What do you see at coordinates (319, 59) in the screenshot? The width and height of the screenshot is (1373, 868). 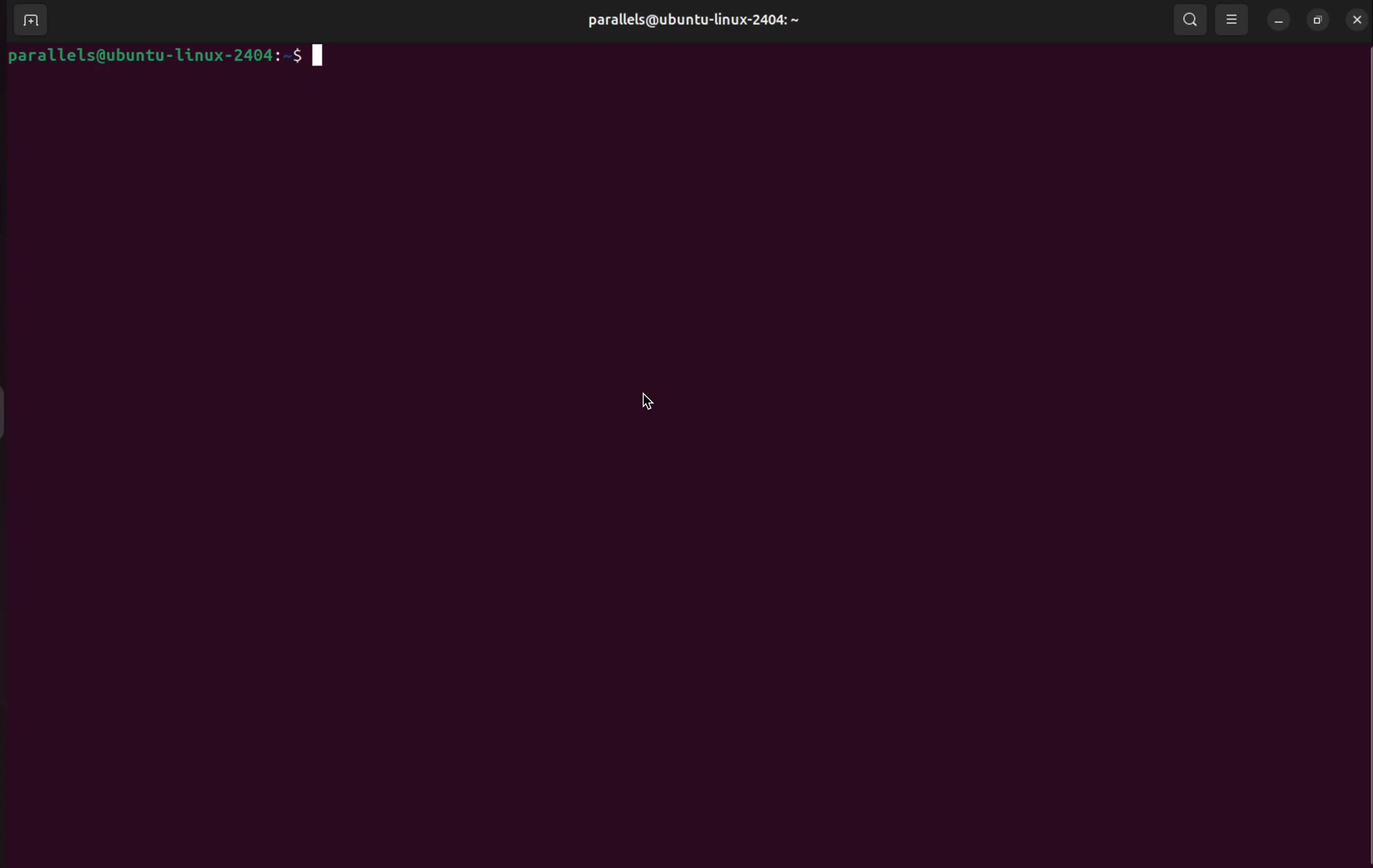 I see `cursor` at bounding box center [319, 59].